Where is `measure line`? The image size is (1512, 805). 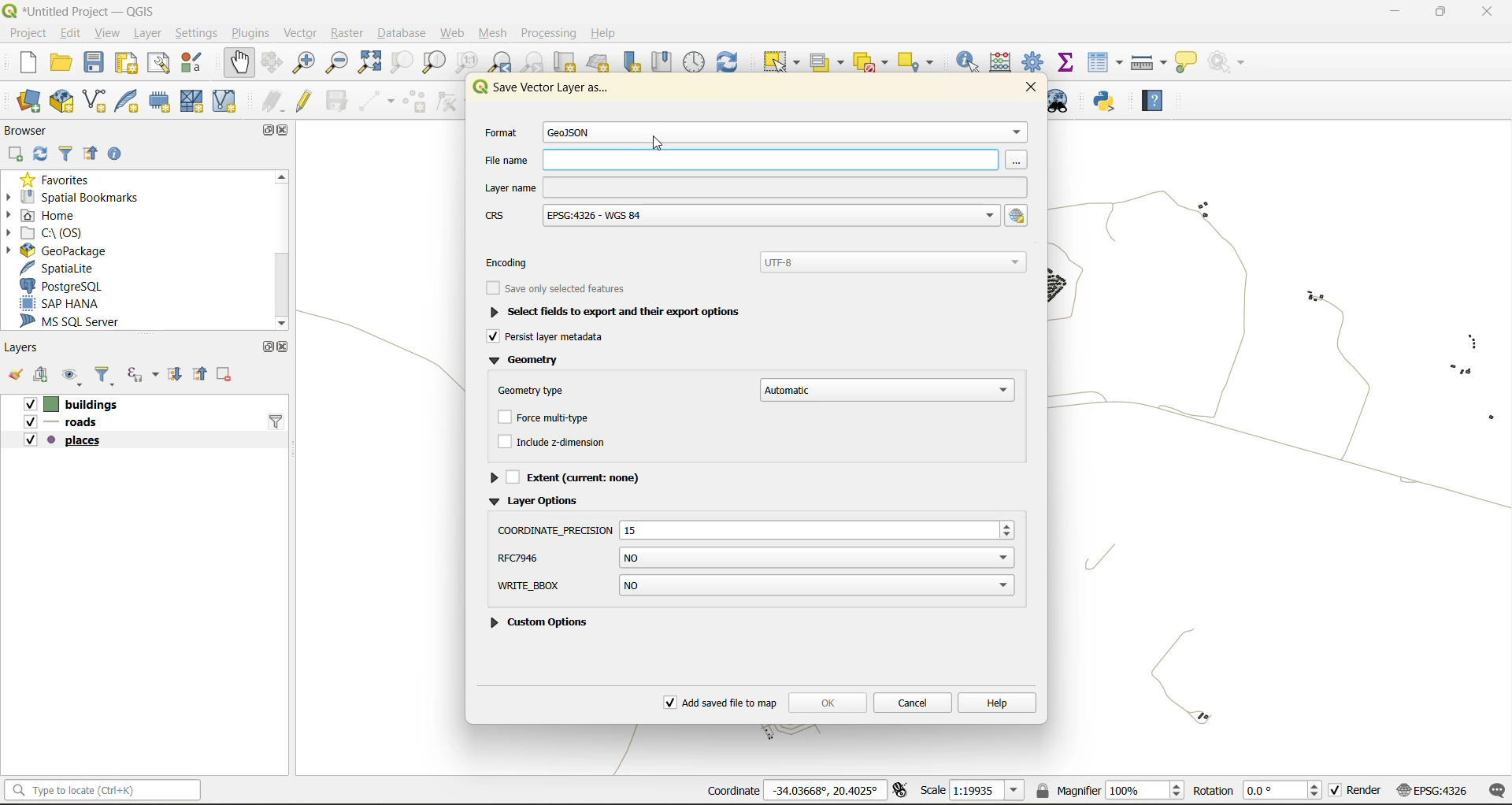 measure line is located at coordinates (1147, 61).